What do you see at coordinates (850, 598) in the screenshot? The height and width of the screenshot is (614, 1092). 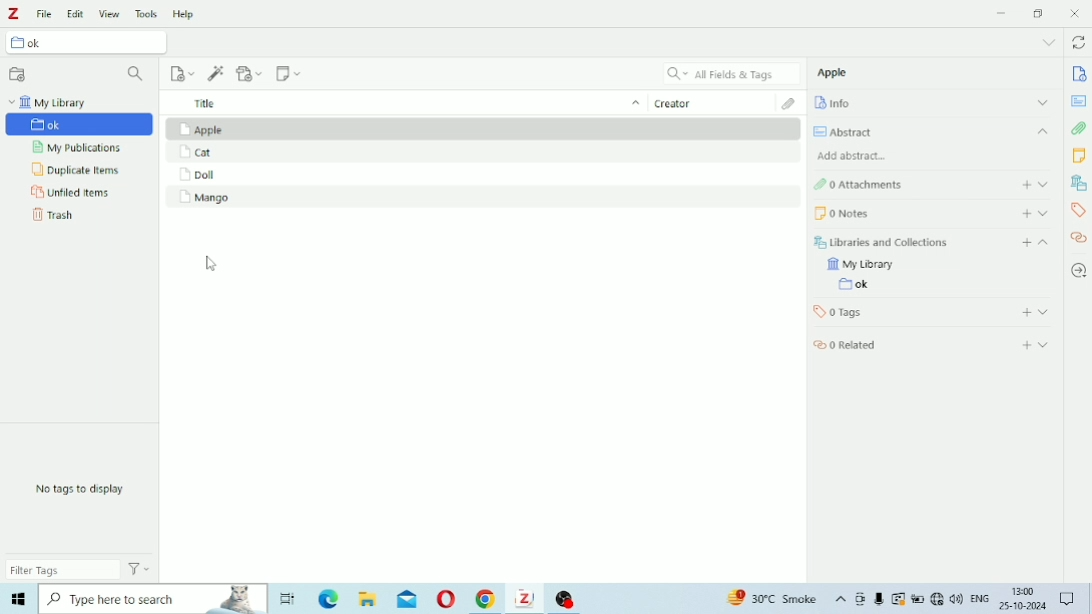 I see `` at bounding box center [850, 598].